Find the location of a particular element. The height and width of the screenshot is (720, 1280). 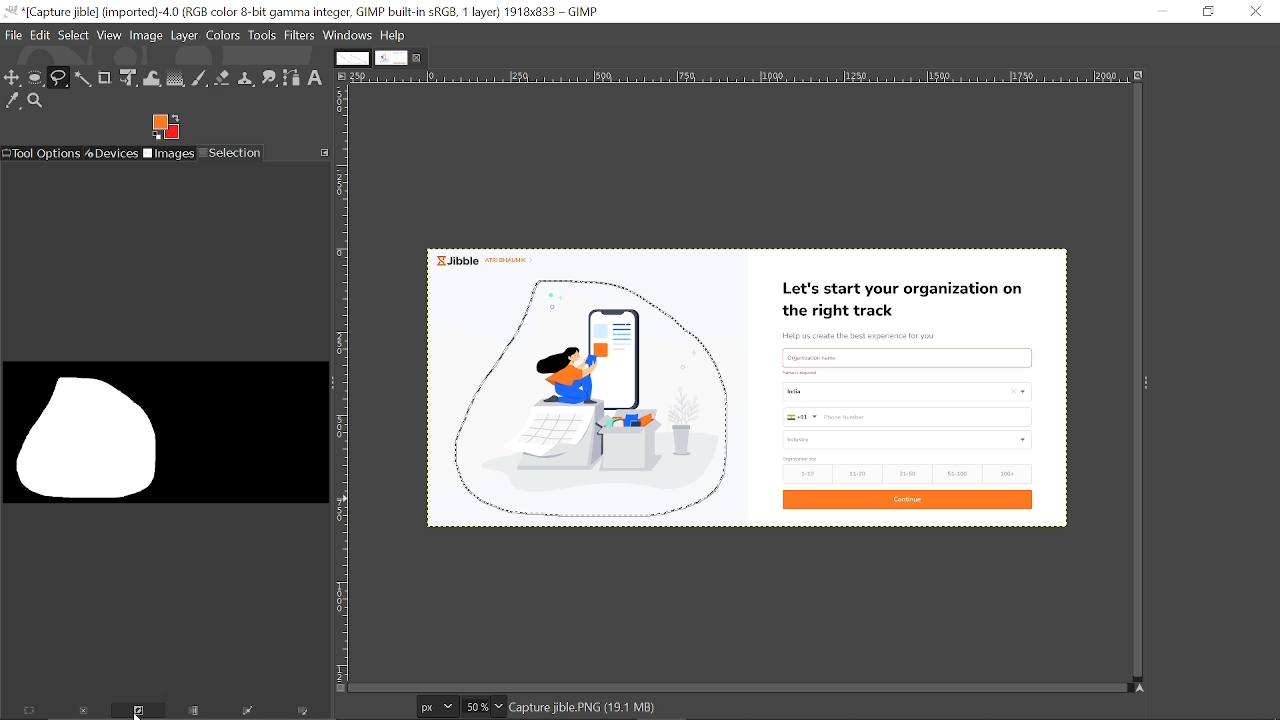

Image is located at coordinates (147, 34).